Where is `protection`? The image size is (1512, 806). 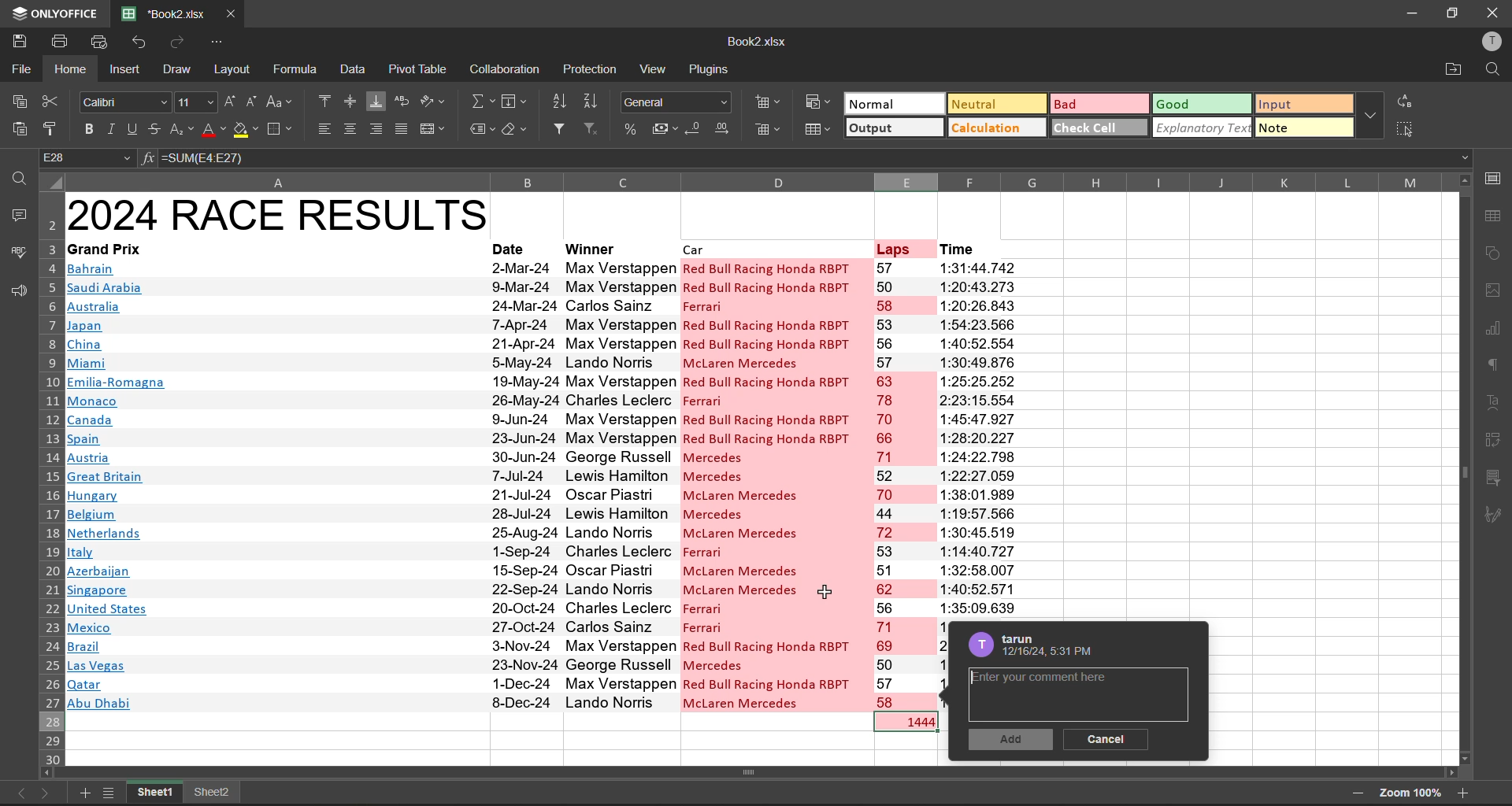
protection is located at coordinates (591, 70).